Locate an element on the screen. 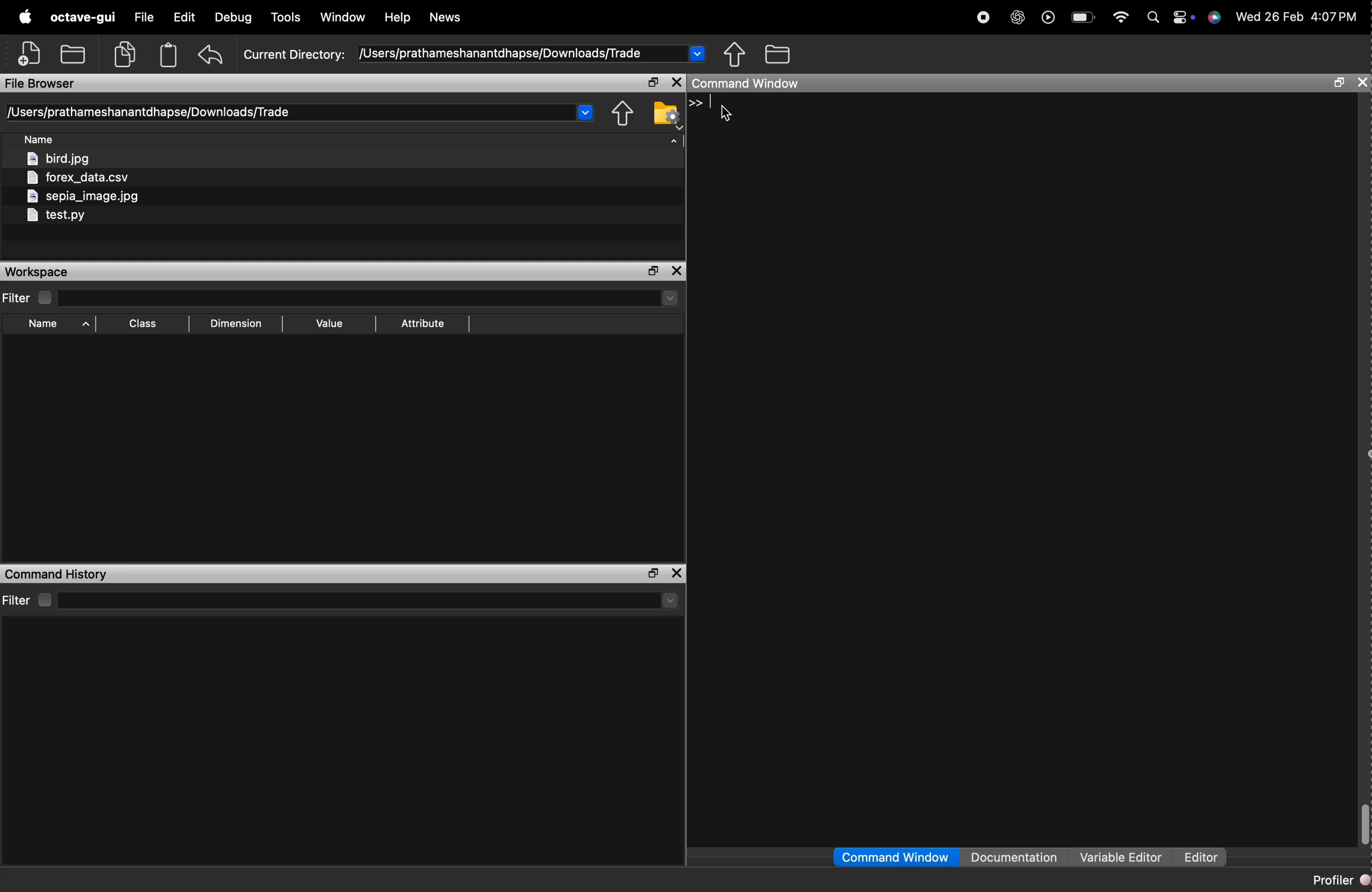 This screenshot has height=892, width=1372. Drop-down  is located at coordinates (670, 298).